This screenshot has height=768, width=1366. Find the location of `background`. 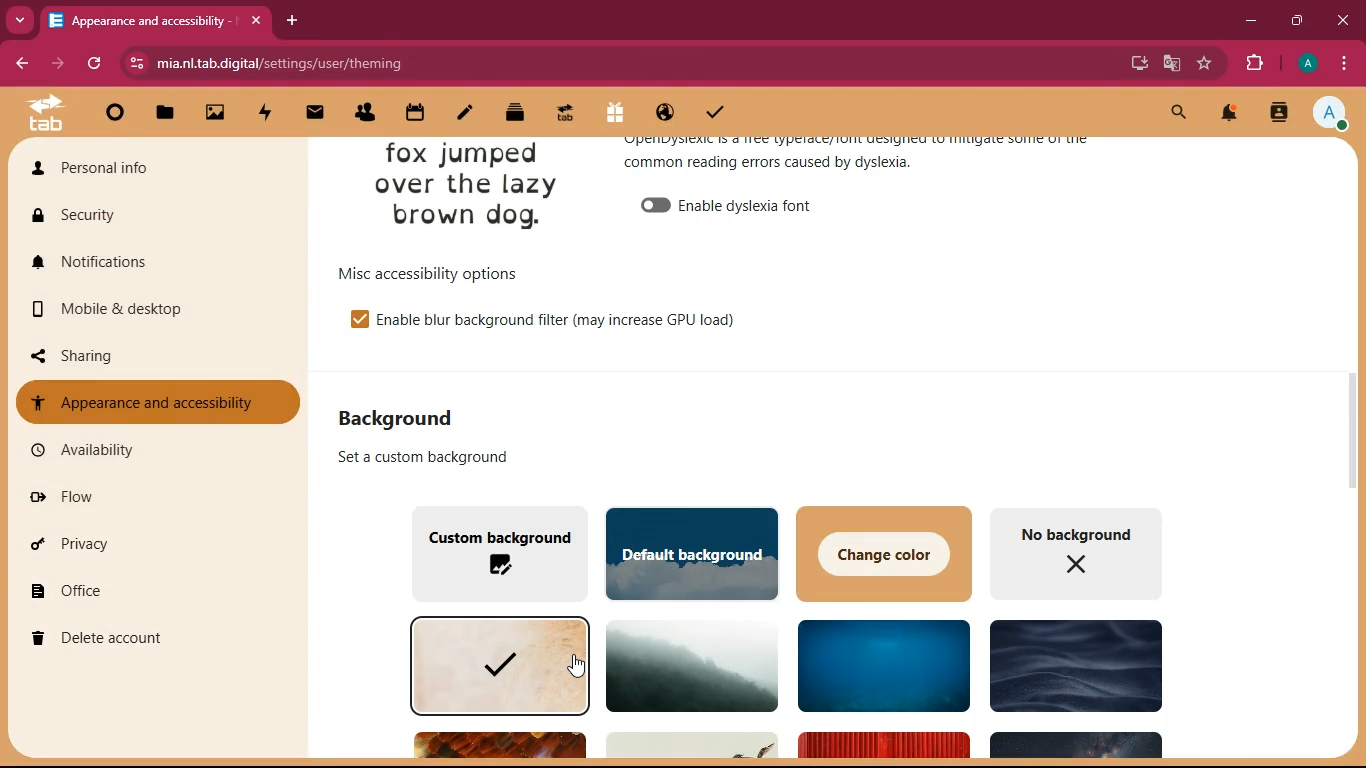

background is located at coordinates (1073, 665).